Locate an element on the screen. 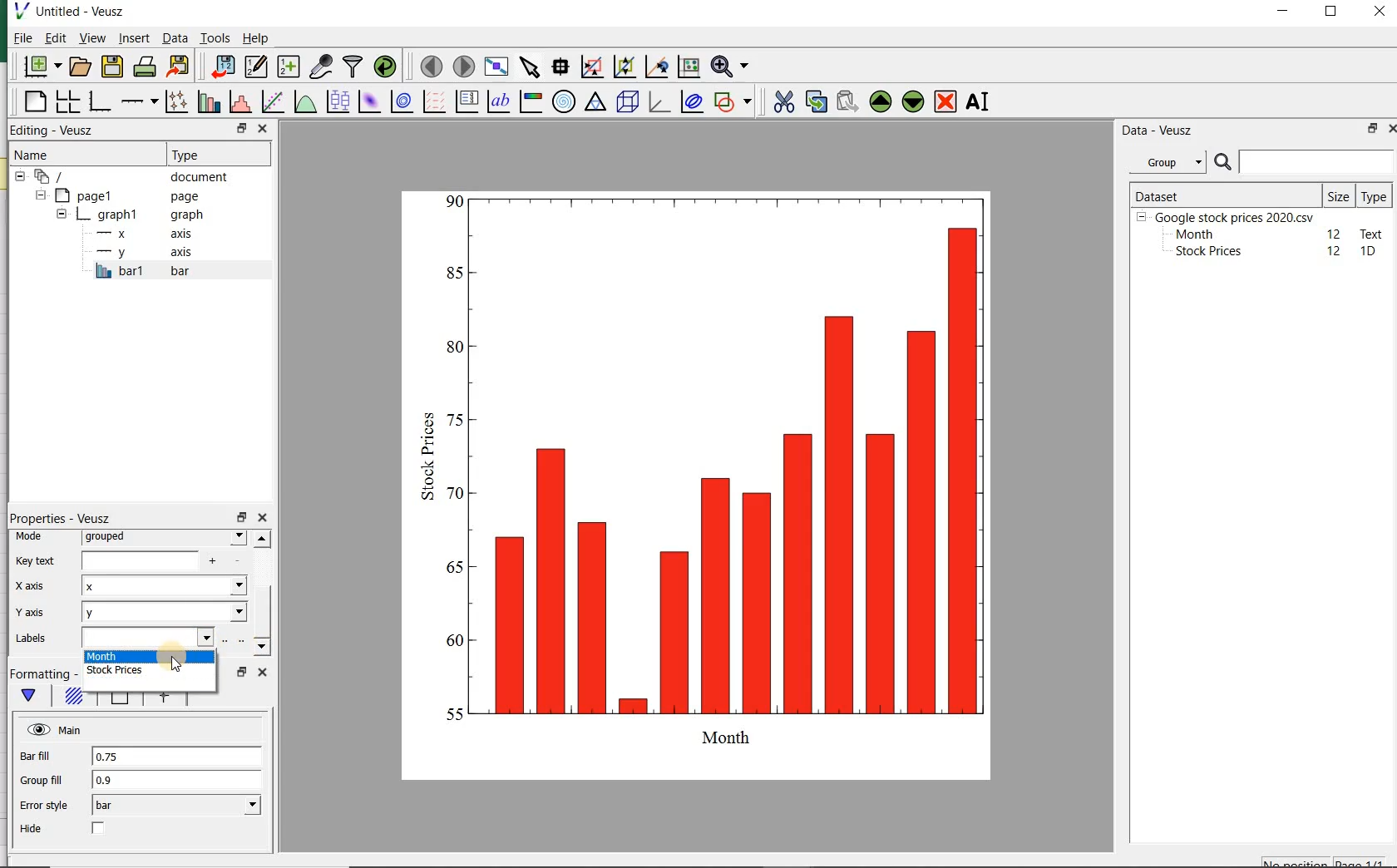 This screenshot has height=868, width=1397. close  is located at coordinates (1396, 129).